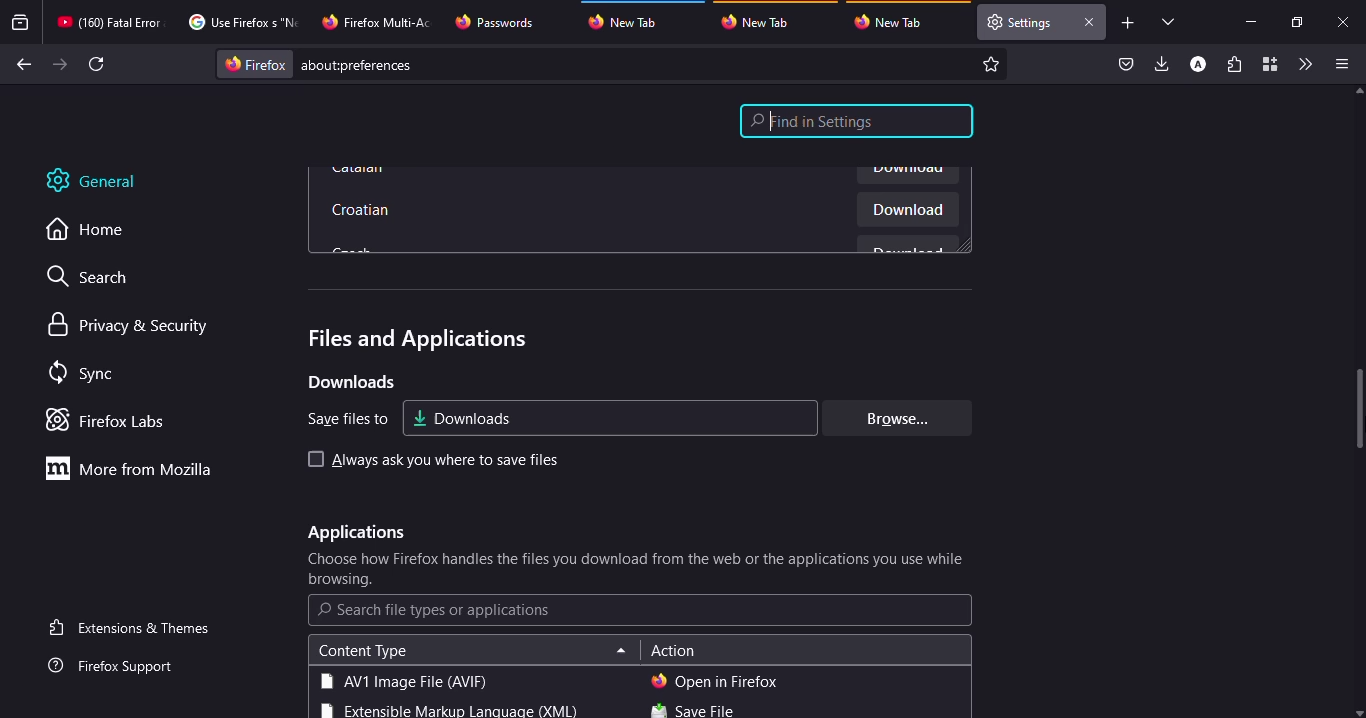 This screenshot has width=1366, height=718. What do you see at coordinates (133, 627) in the screenshot?
I see `themes` at bounding box center [133, 627].